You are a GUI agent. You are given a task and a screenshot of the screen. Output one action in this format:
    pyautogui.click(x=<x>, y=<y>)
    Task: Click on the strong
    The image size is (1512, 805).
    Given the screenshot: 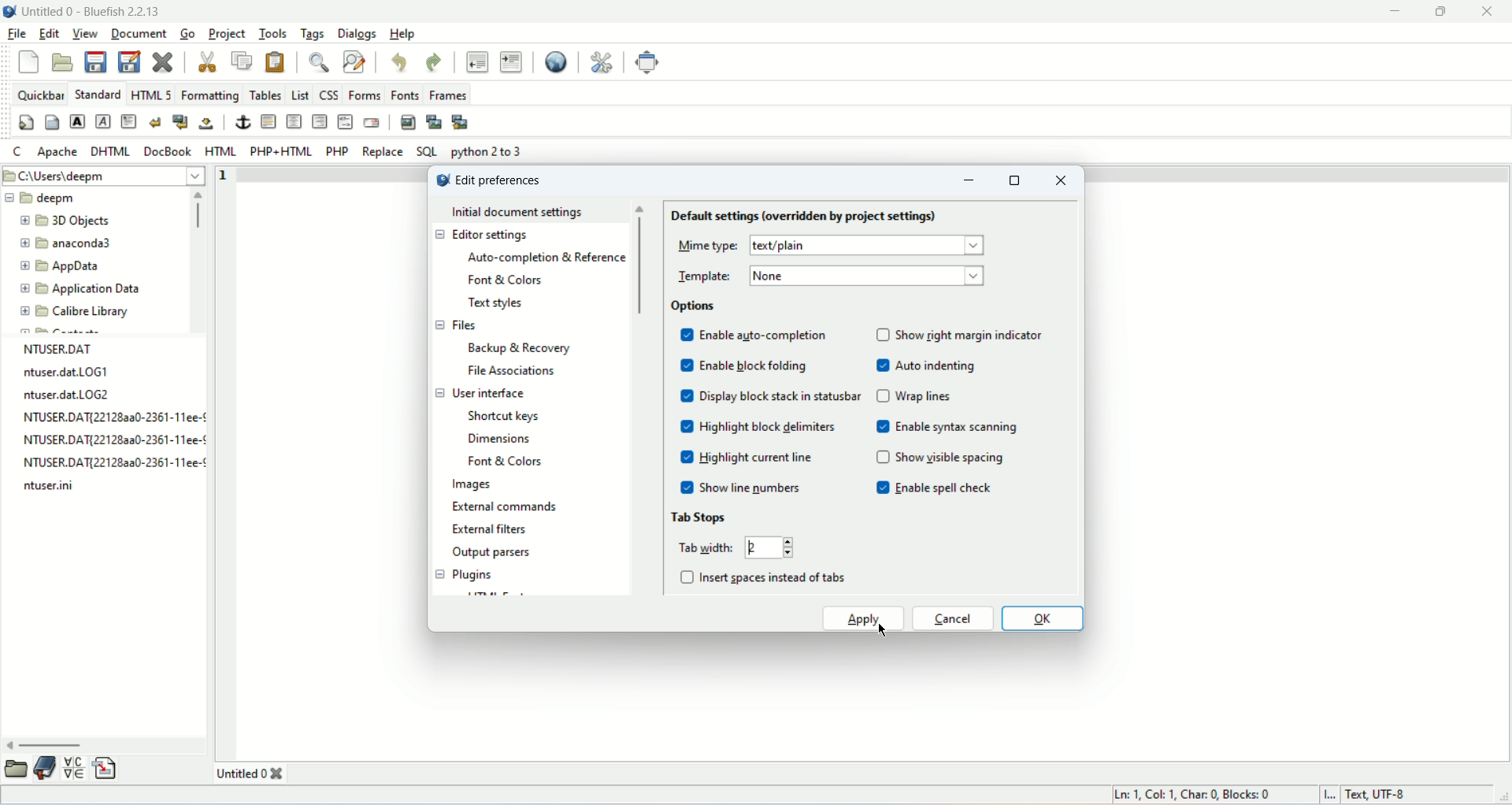 What is the action you would take?
    pyautogui.click(x=76, y=121)
    